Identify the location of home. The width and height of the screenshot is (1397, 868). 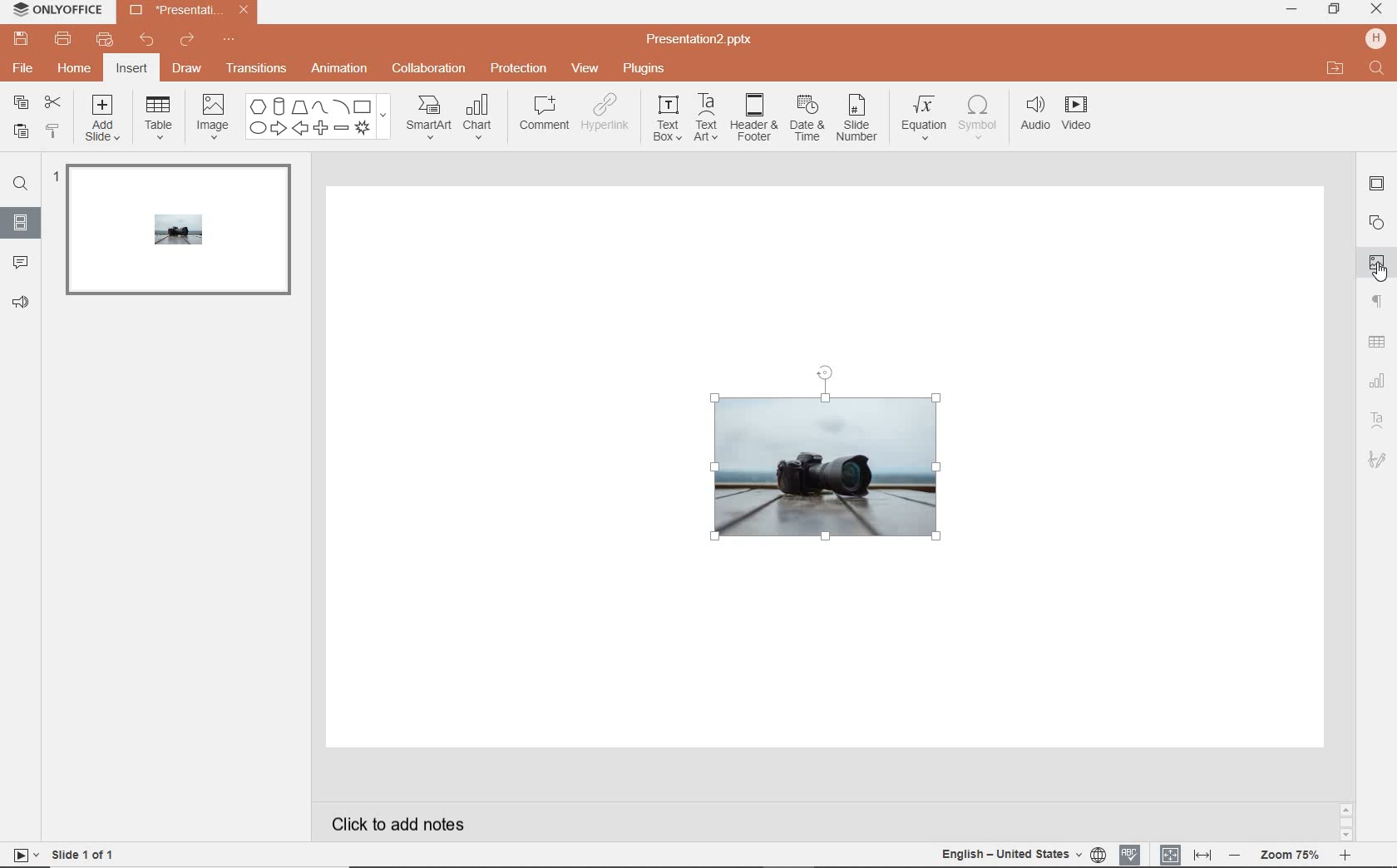
(76, 68).